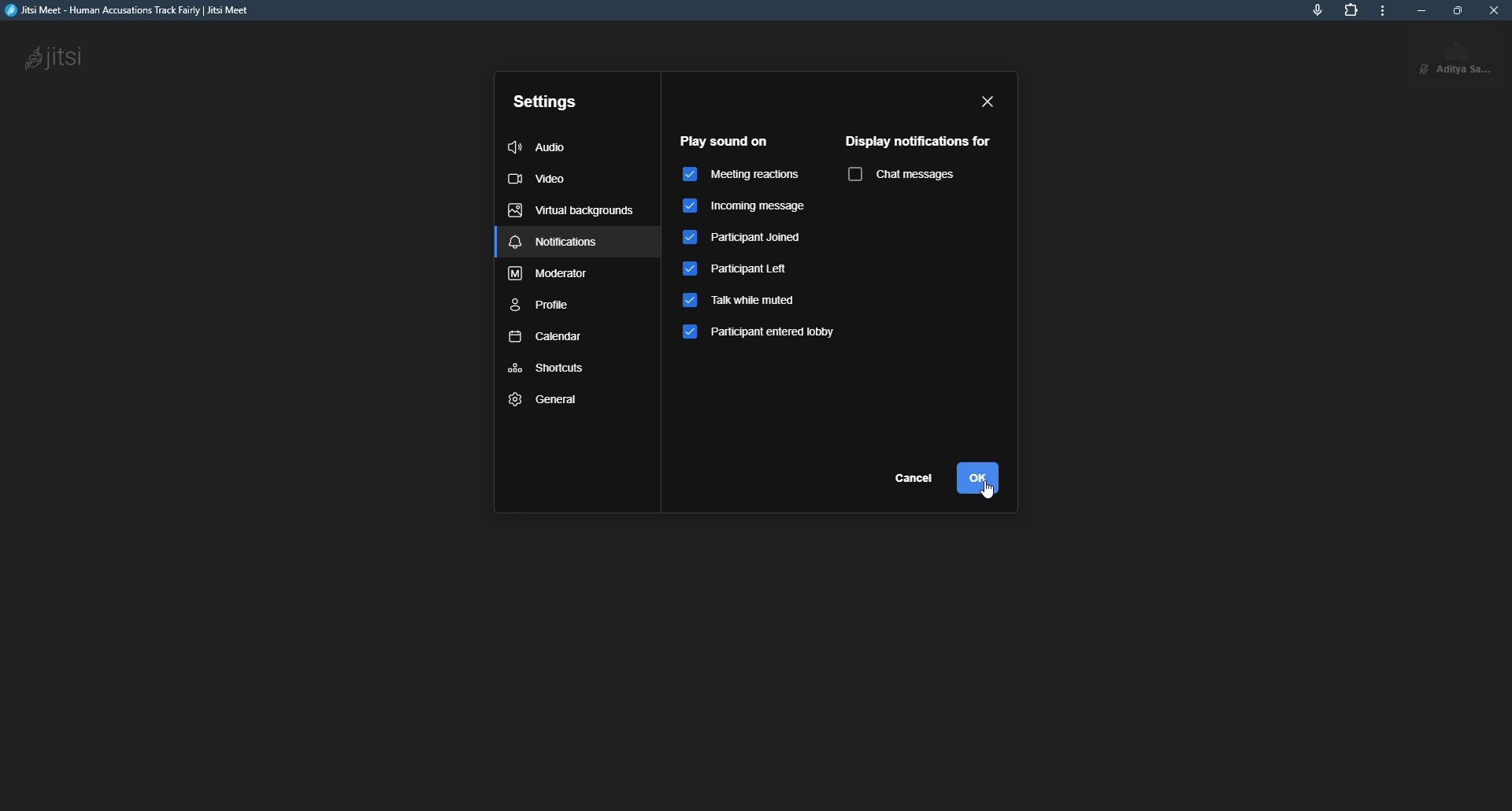  Describe the element at coordinates (901, 178) in the screenshot. I see `chat messages` at that location.